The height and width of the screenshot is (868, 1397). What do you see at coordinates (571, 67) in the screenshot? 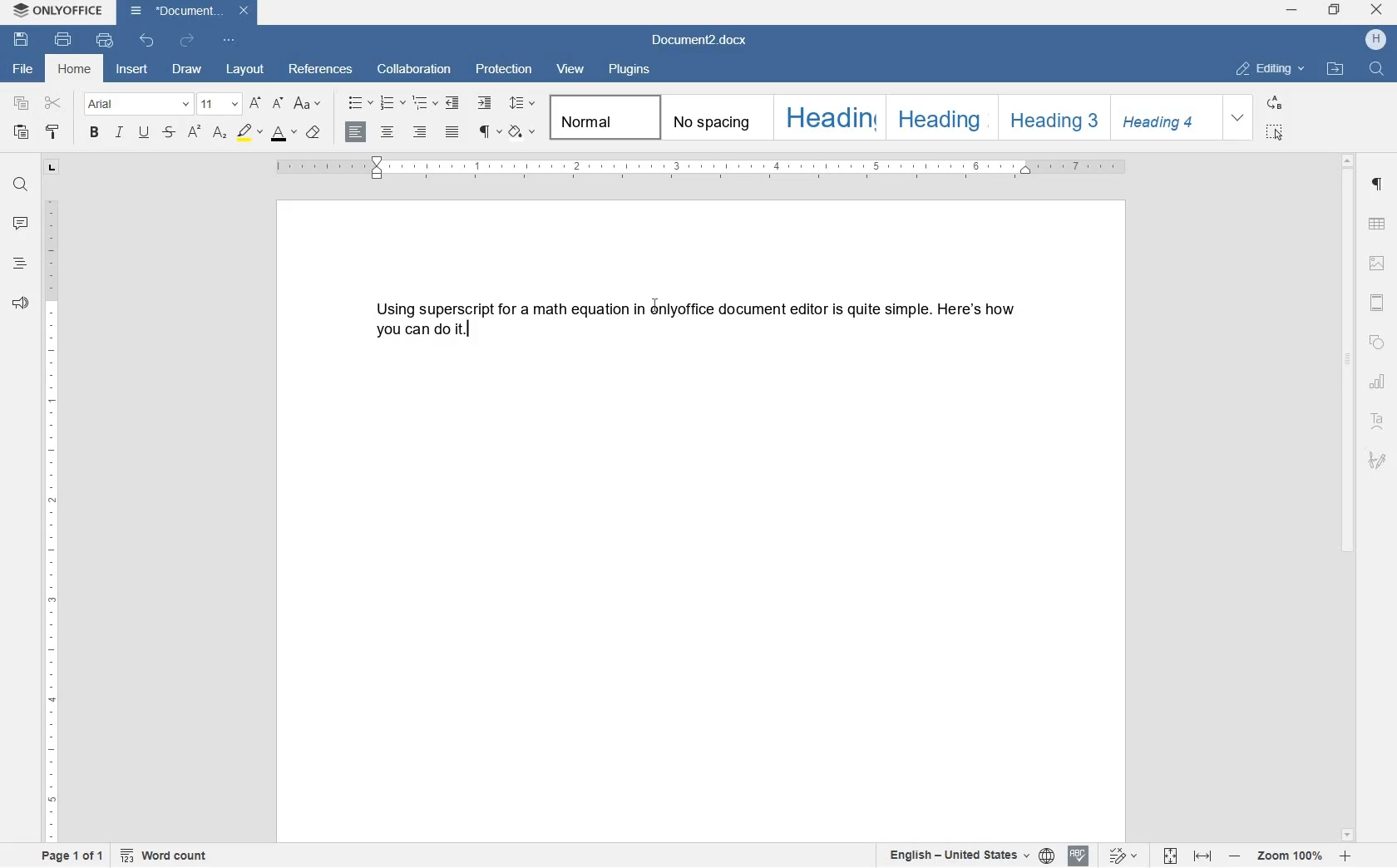
I see `view` at bounding box center [571, 67].